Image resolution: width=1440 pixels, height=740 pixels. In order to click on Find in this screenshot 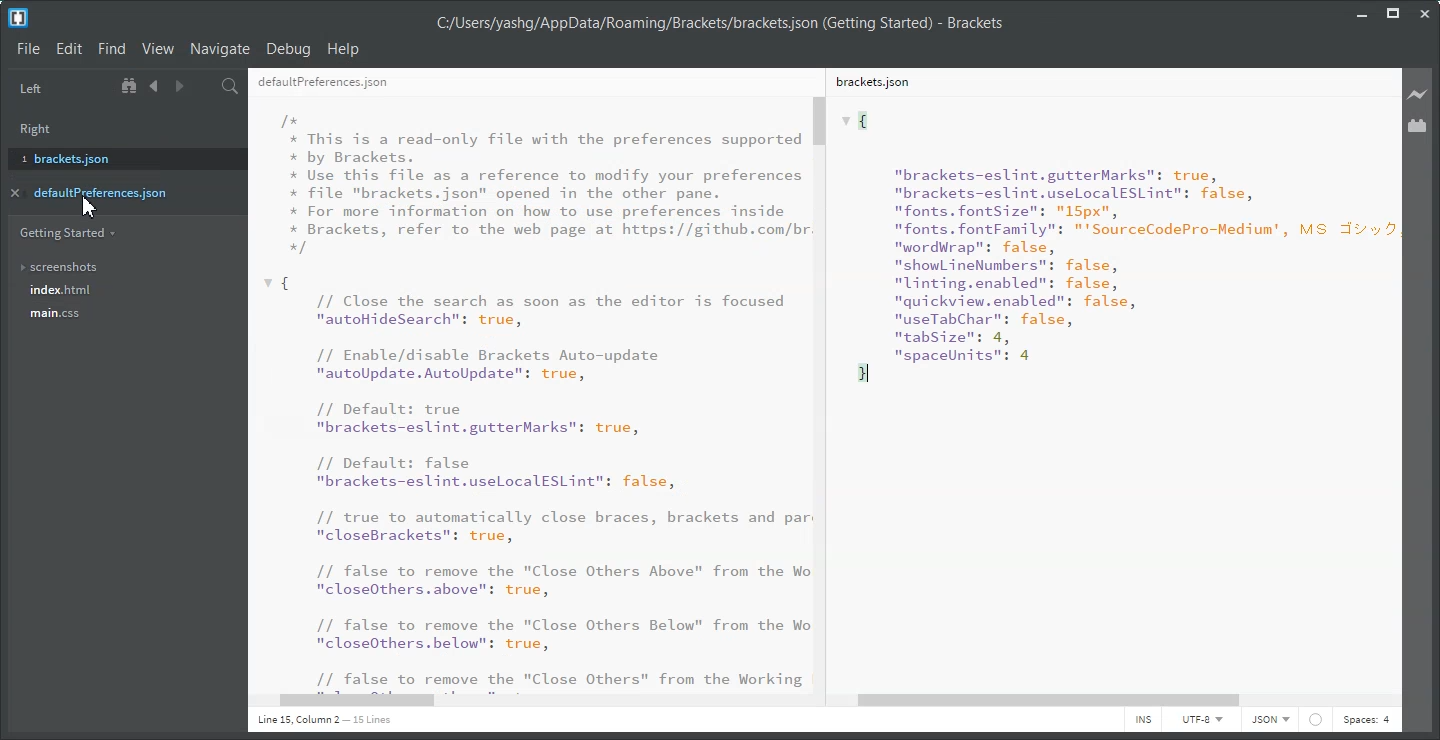, I will do `click(111, 49)`.